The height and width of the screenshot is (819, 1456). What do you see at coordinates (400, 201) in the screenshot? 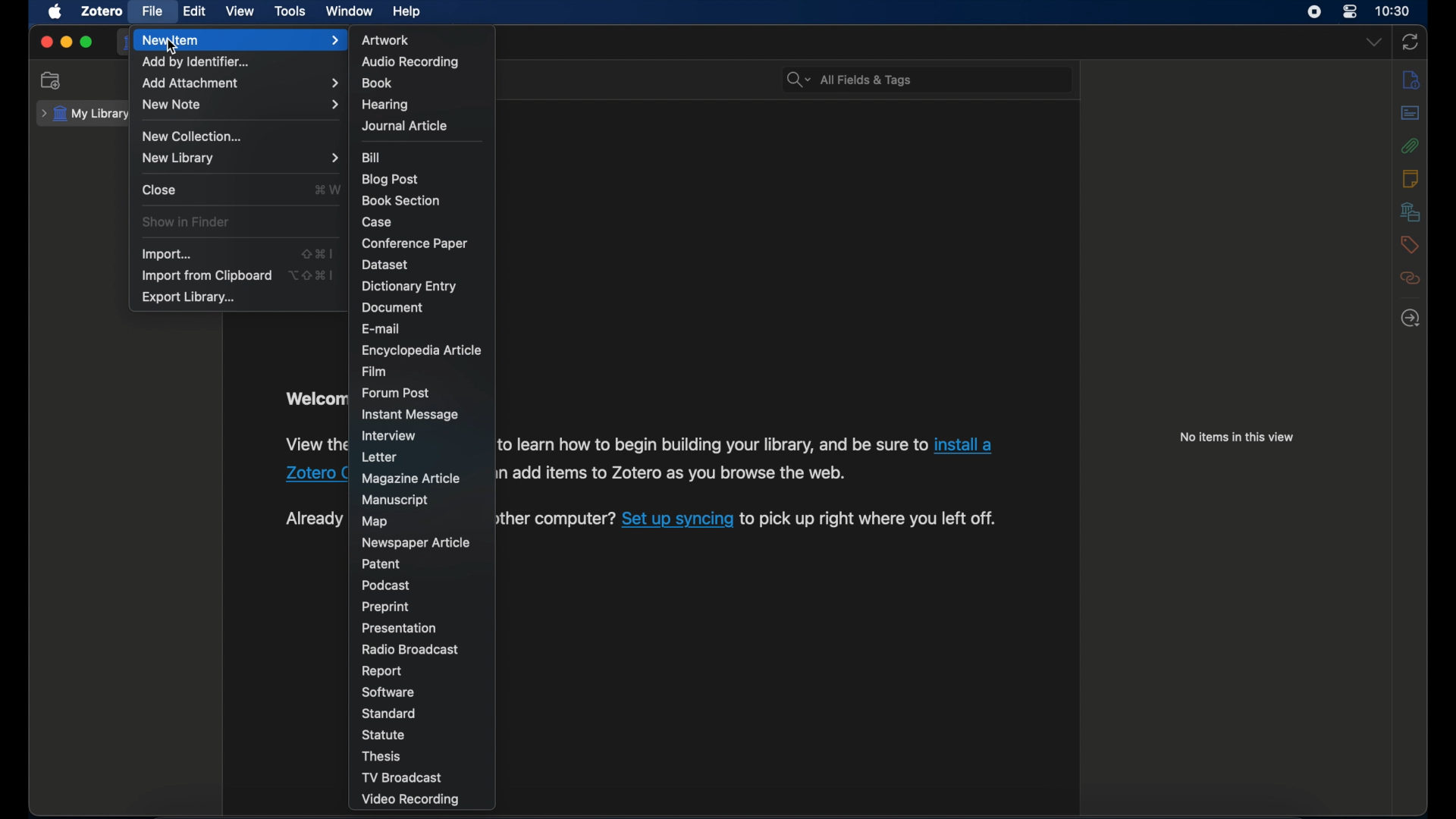
I see `book section` at bounding box center [400, 201].